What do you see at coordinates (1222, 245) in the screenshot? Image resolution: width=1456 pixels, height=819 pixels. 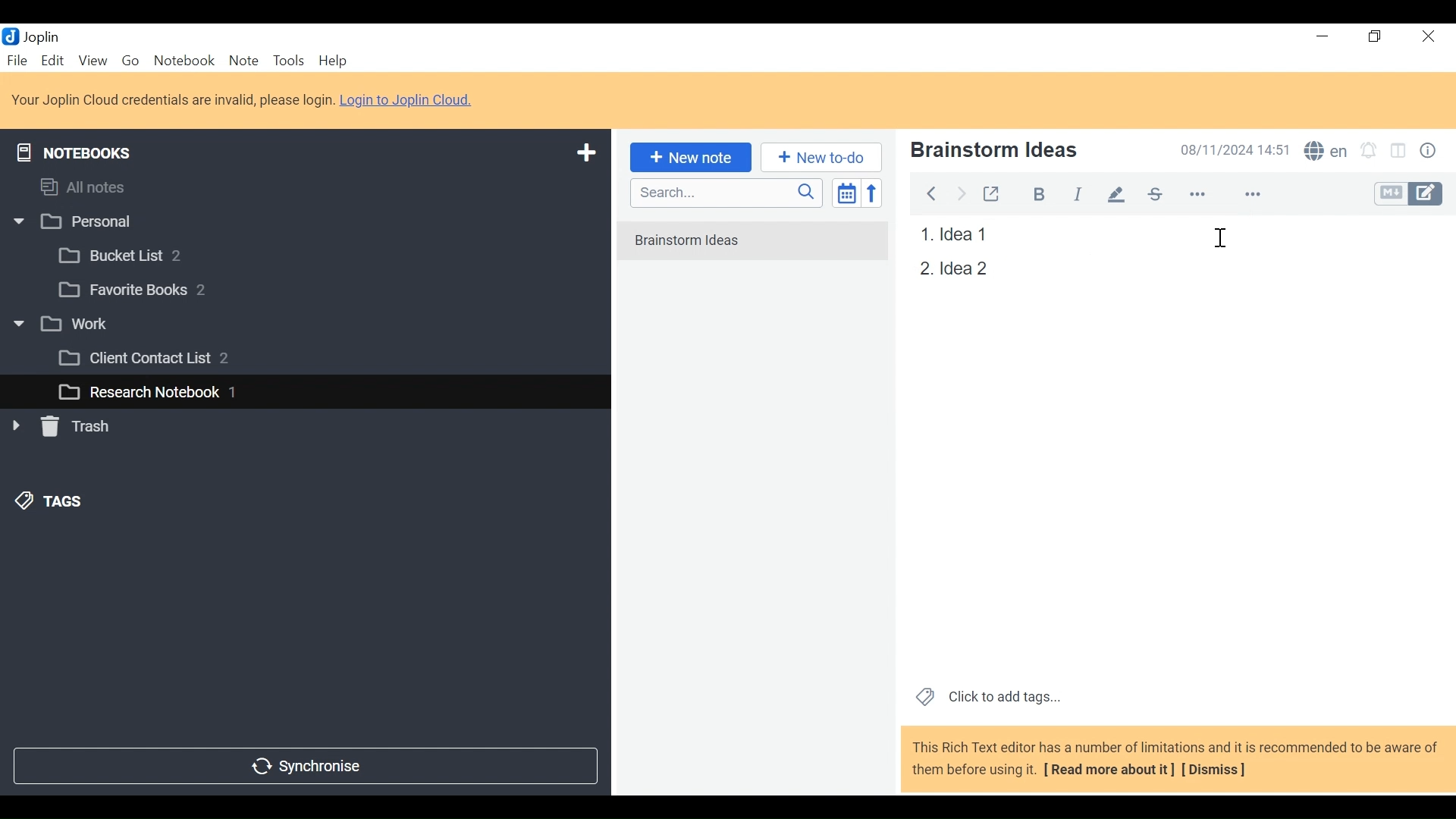 I see `Insert Time` at bounding box center [1222, 245].